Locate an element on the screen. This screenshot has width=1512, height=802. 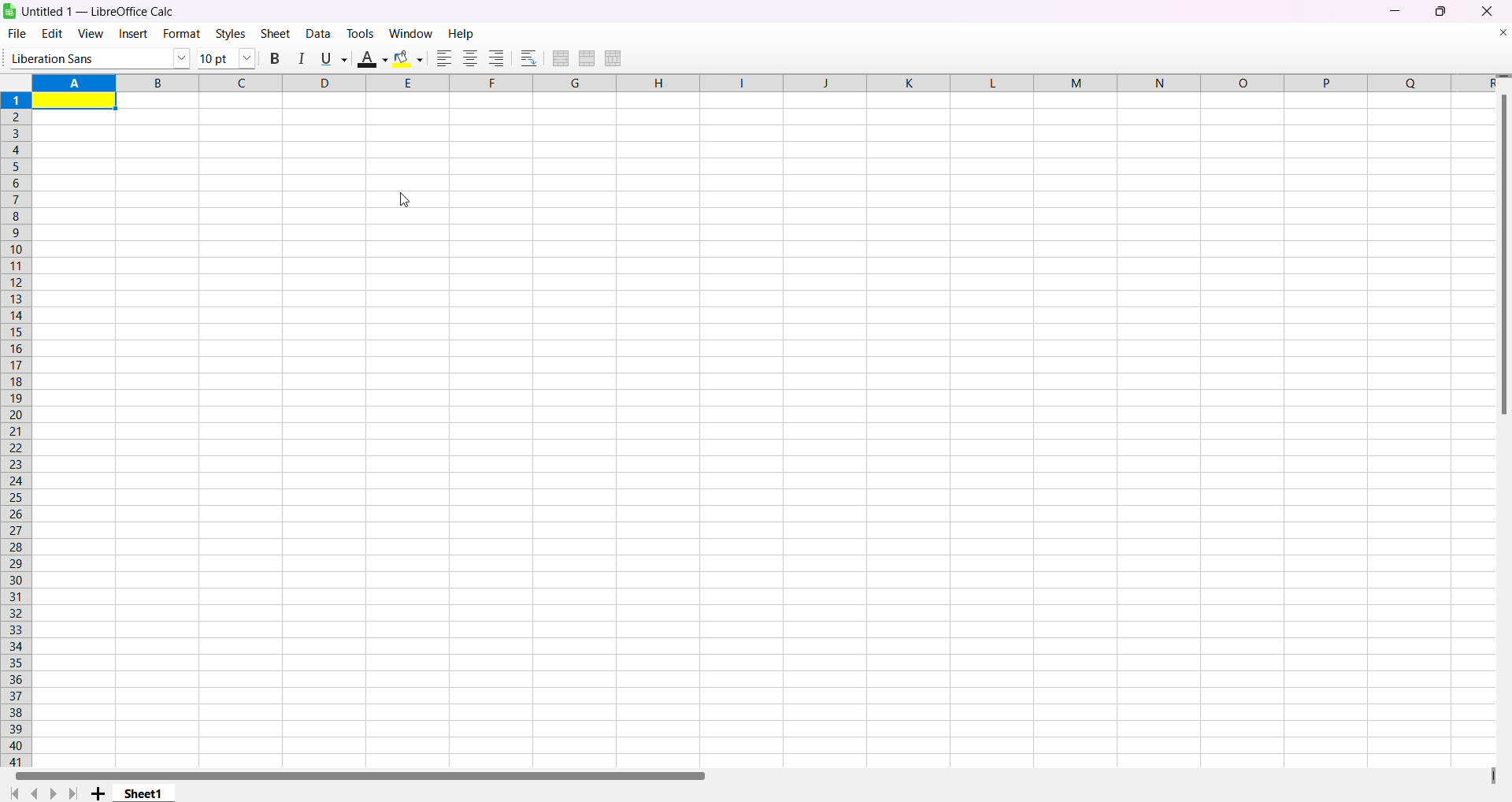
edit is located at coordinates (50, 32).